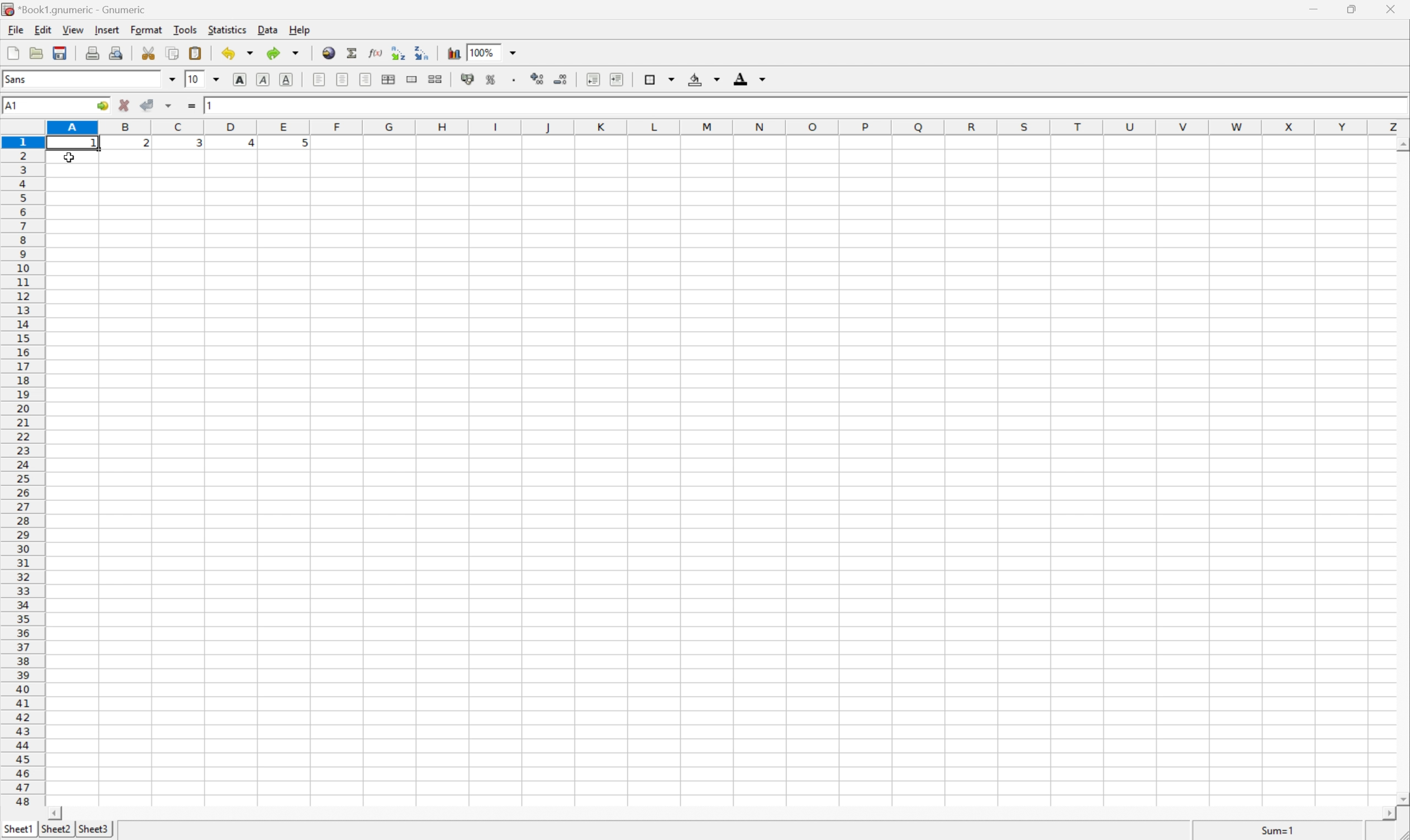 The image size is (1410, 840). What do you see at coordinates (22, 471) in the screenshot?
I see `row numbers` at bounding box center [22, 471].